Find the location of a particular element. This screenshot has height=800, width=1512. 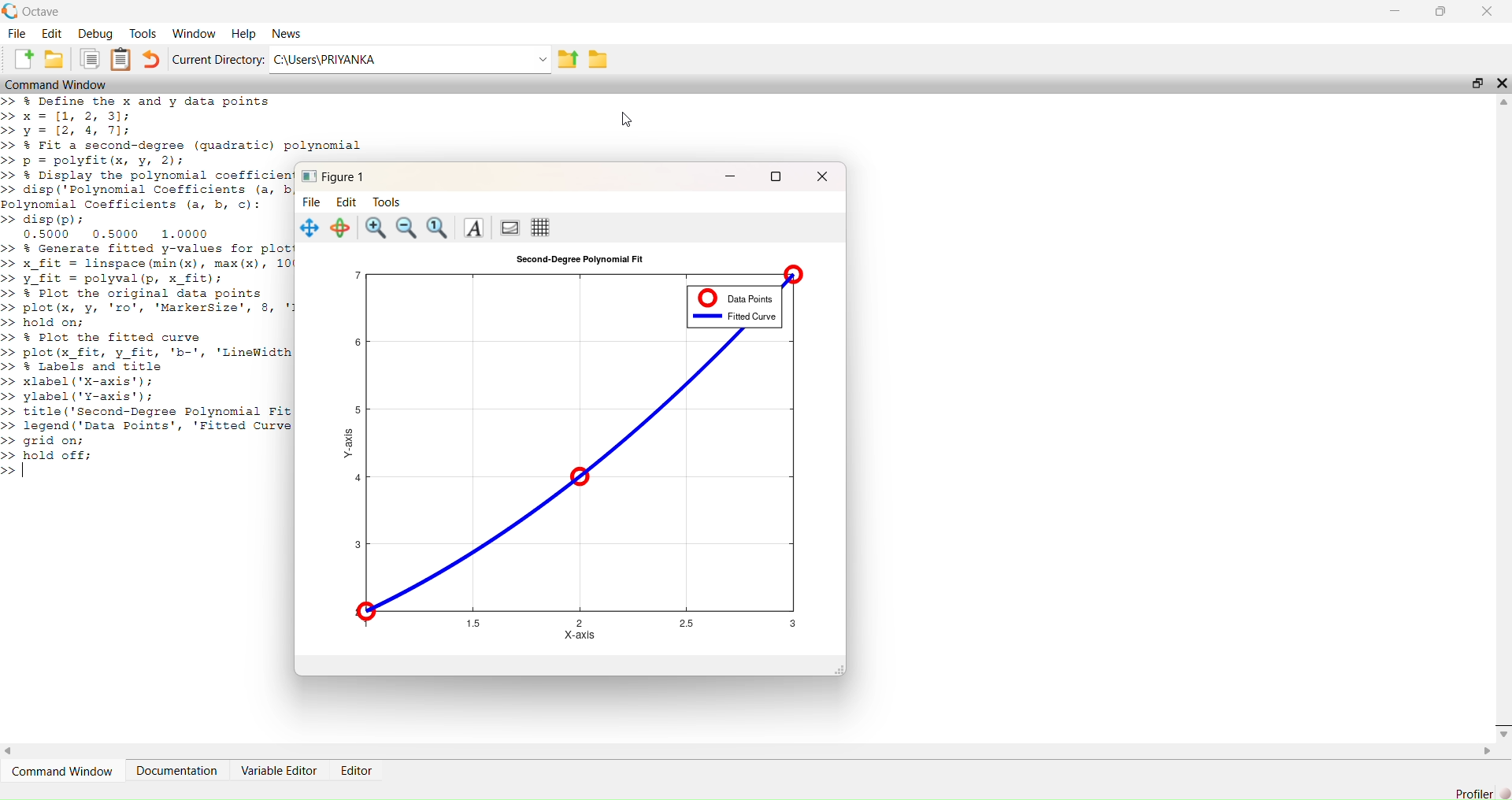

Edit is located at coordinates (53, 35).